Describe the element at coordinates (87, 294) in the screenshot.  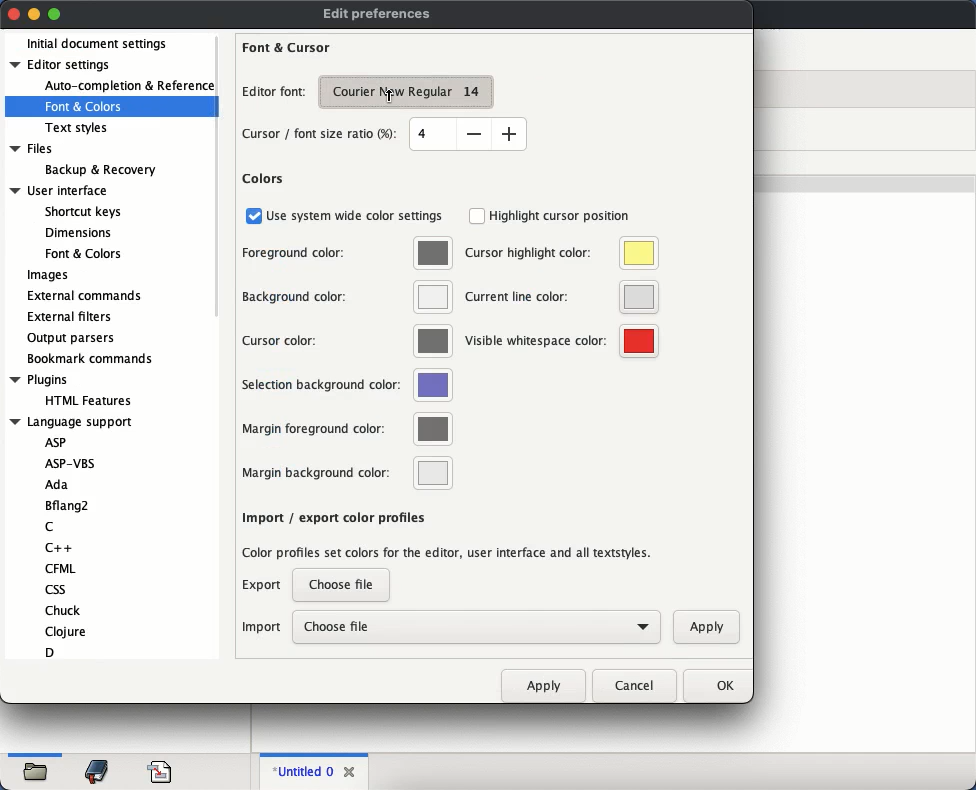
I see `external commands` at that location.